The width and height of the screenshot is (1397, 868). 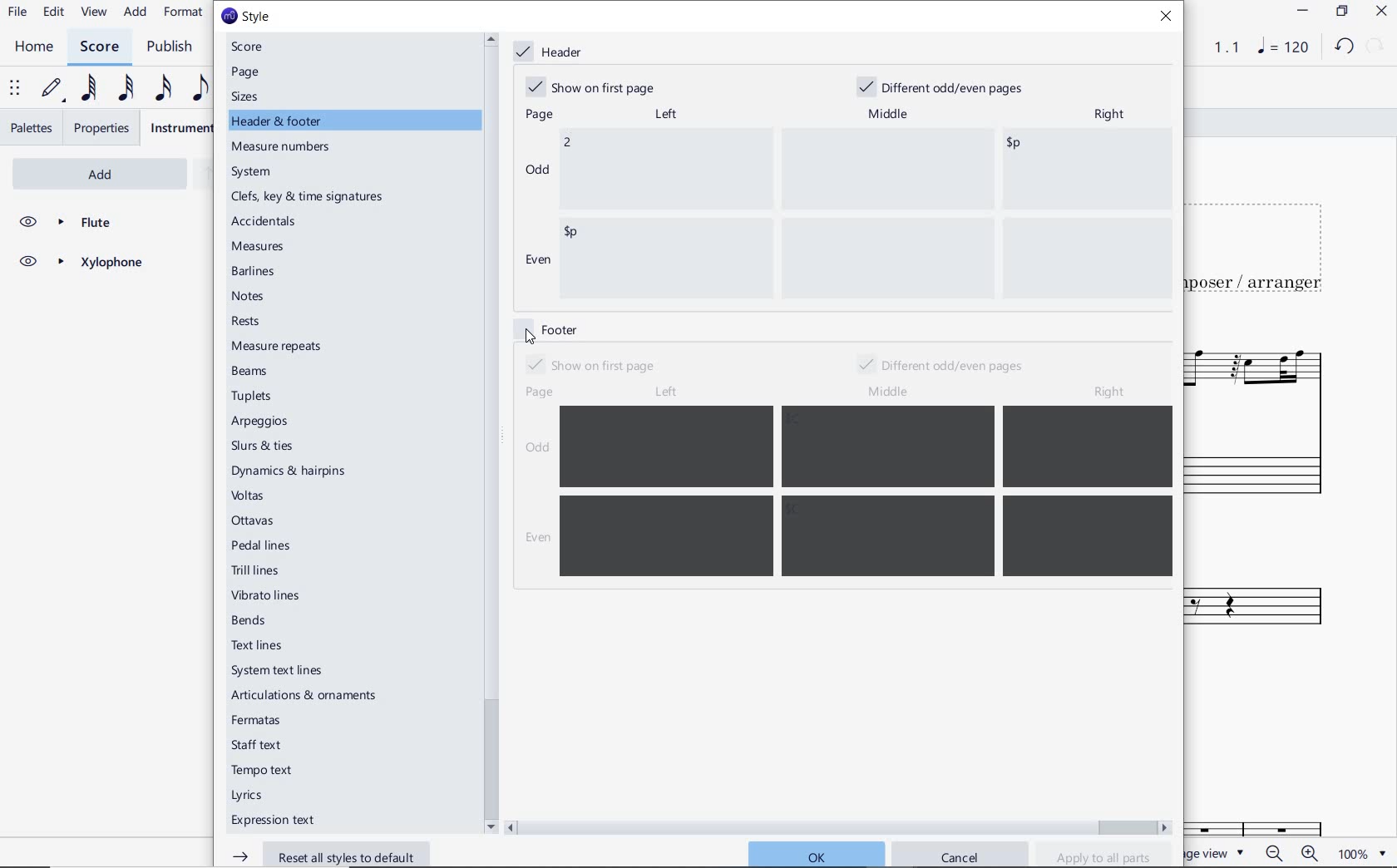 What do you see at coordinates (595, 86) in the screenshot?
I see `show on first page` at bounding box center [595, 86].